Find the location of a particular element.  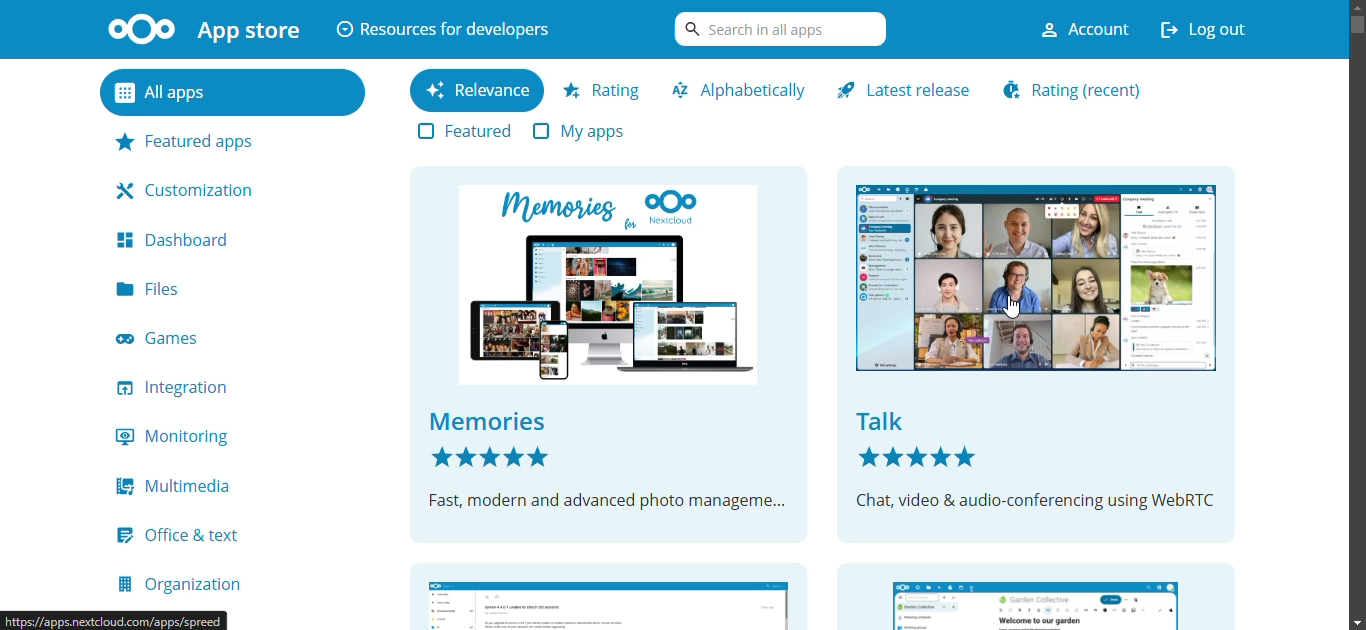

integration is located at coordinates (182, 388).